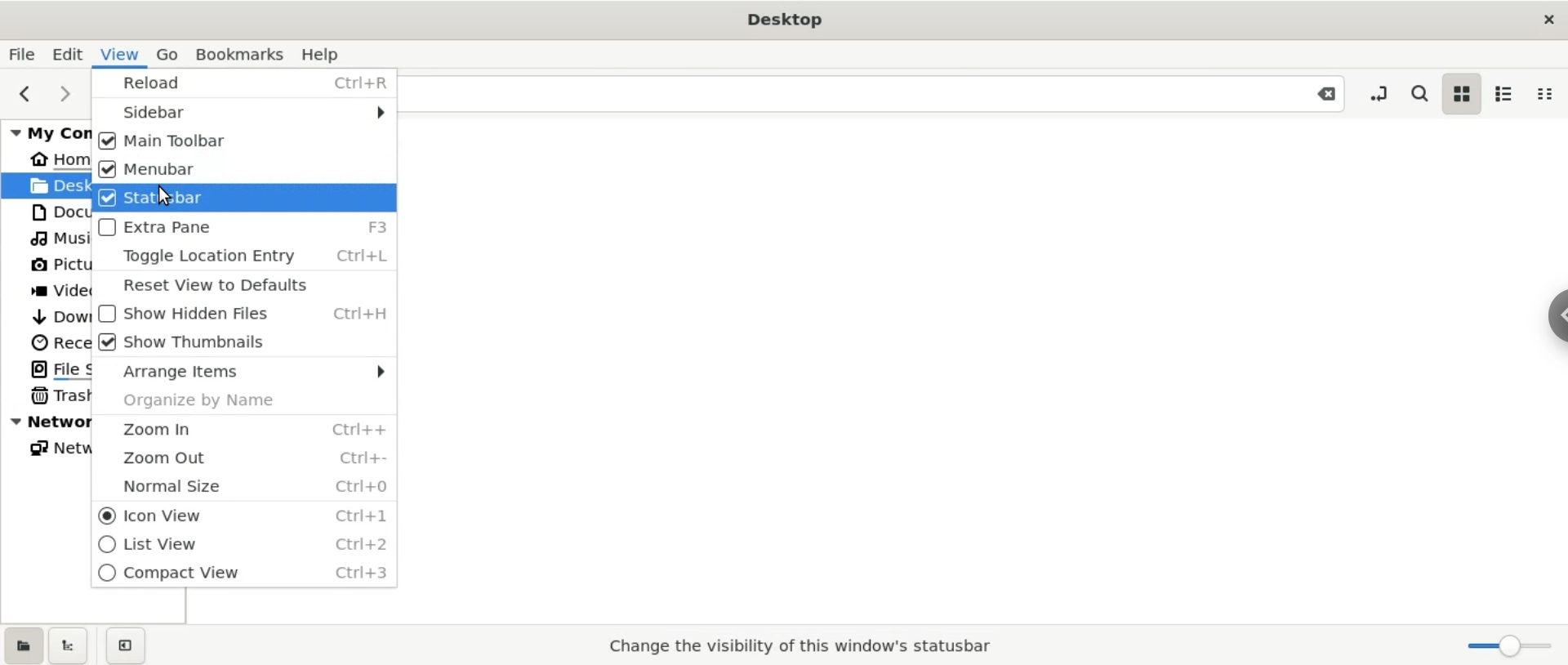 The height and width of the screenshot is (665, 1568). What do you see at coordinates (243, 113) in the screenshot?
I see `Sidebar` at bounding box center [243, 113].